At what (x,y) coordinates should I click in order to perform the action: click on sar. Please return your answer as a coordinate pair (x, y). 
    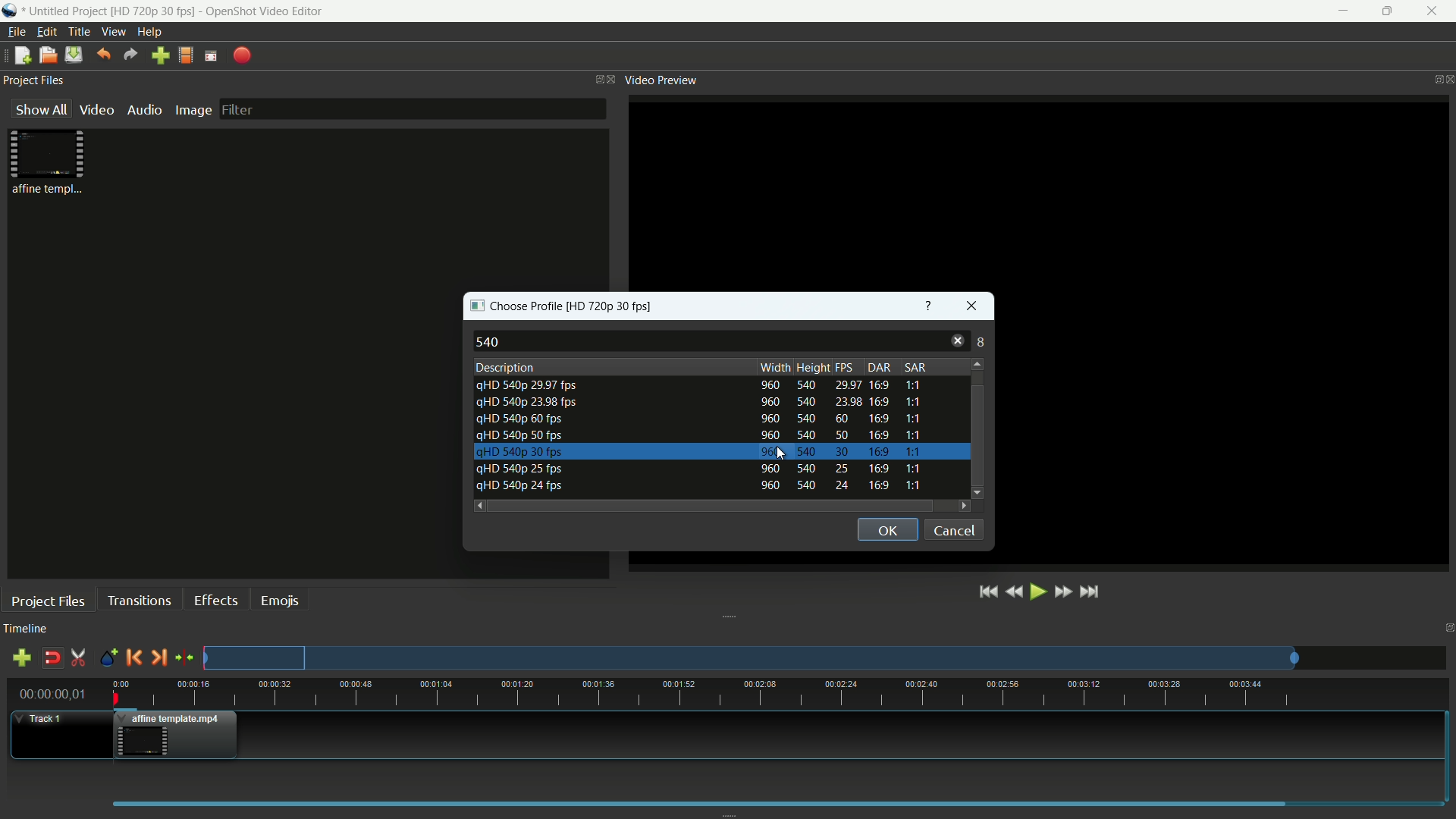
    Looking at the image, I should click on (915, 366).